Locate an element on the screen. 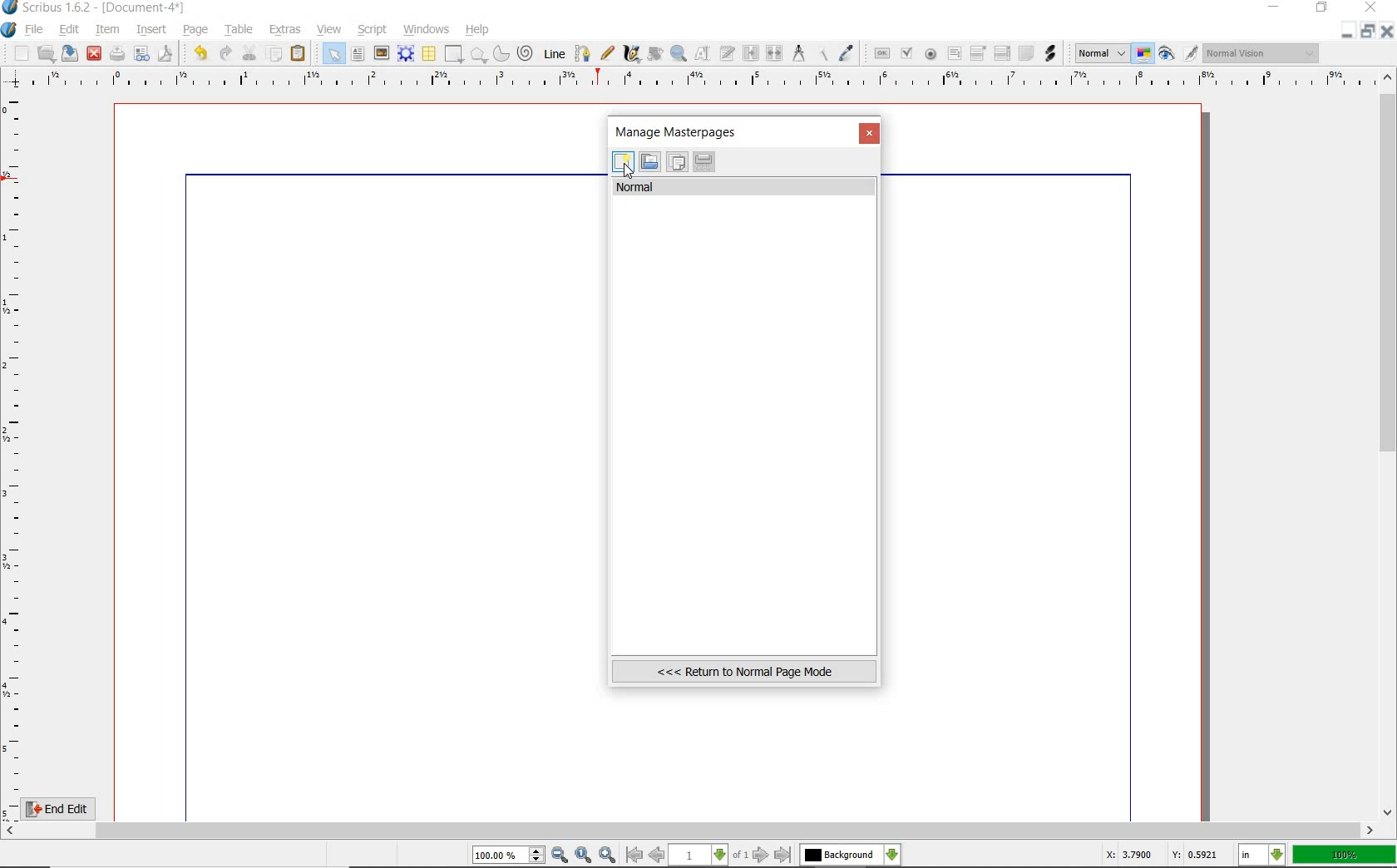  pdf text field is located at coordinates (954, 54).